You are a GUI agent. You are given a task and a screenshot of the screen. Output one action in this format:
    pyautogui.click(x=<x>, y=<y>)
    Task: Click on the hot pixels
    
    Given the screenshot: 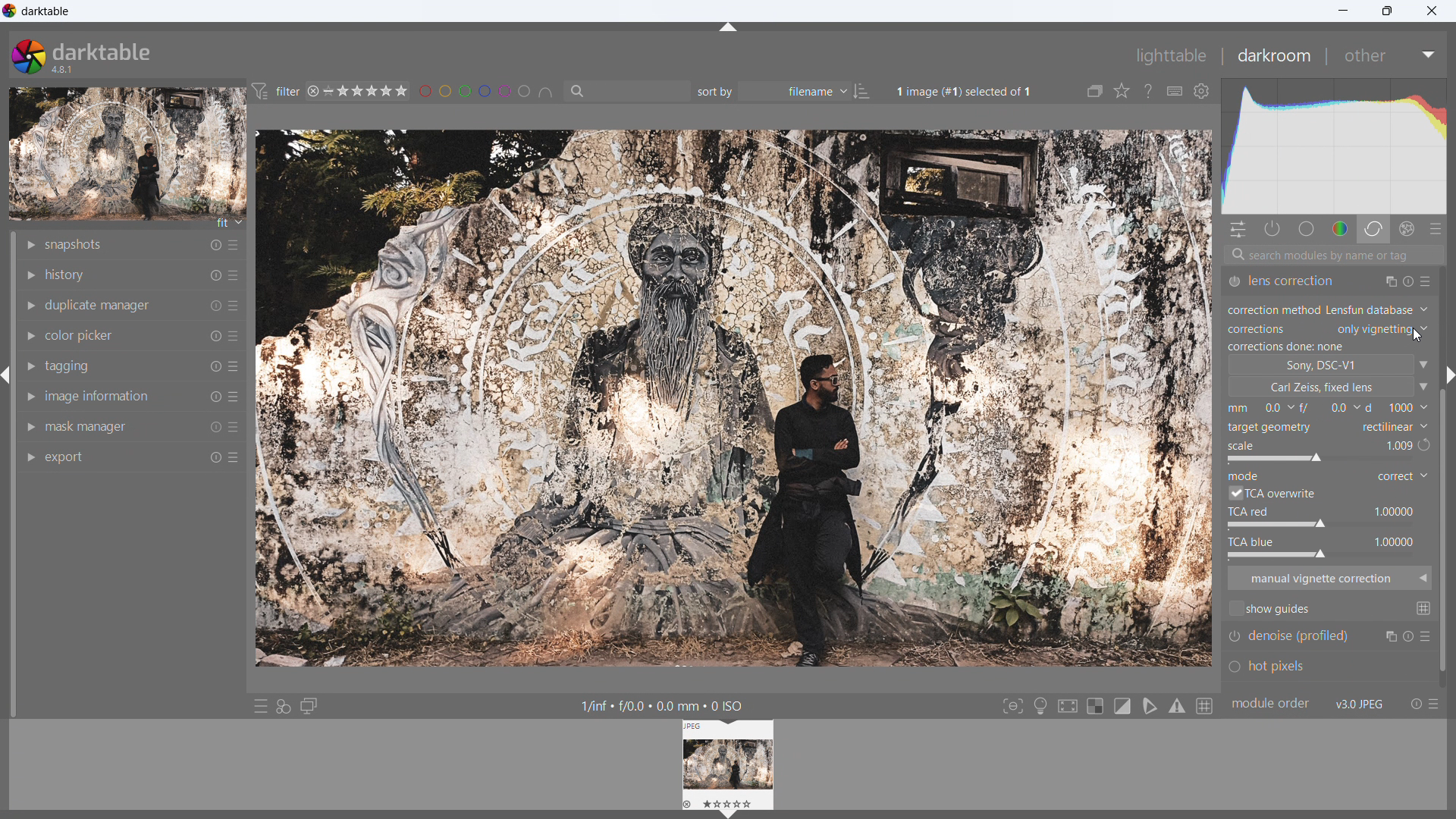 What is the action you would take?
    pyautogui.click(x=1317, y=670)
    